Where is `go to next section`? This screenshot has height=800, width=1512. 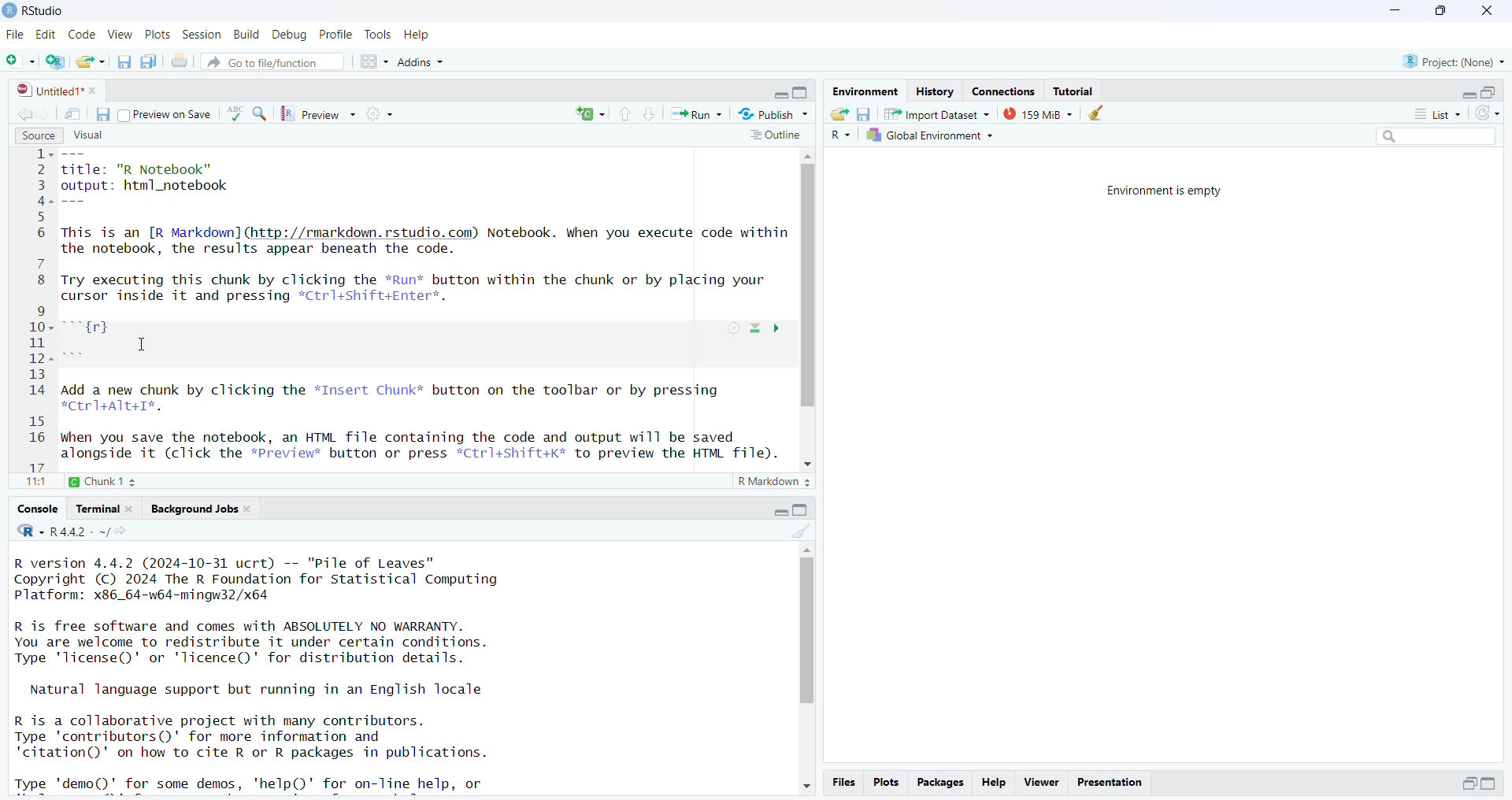
go to next section is located at coordinates (651, 116).